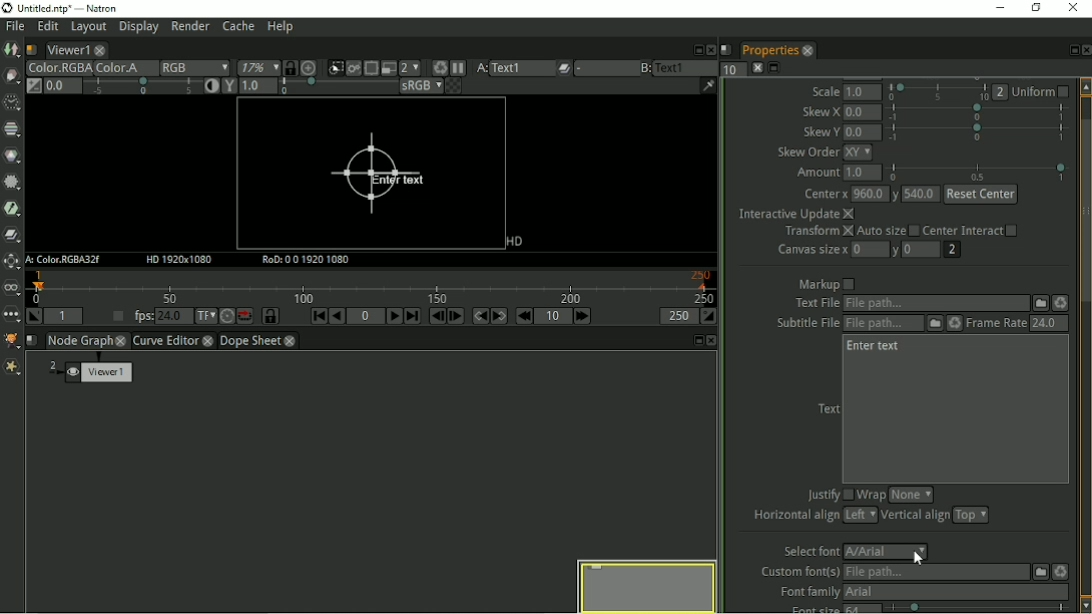  Describe the element at coordinates (33, 316) in the screenshot. I see `Set the playback in point at the current frame` at that location.